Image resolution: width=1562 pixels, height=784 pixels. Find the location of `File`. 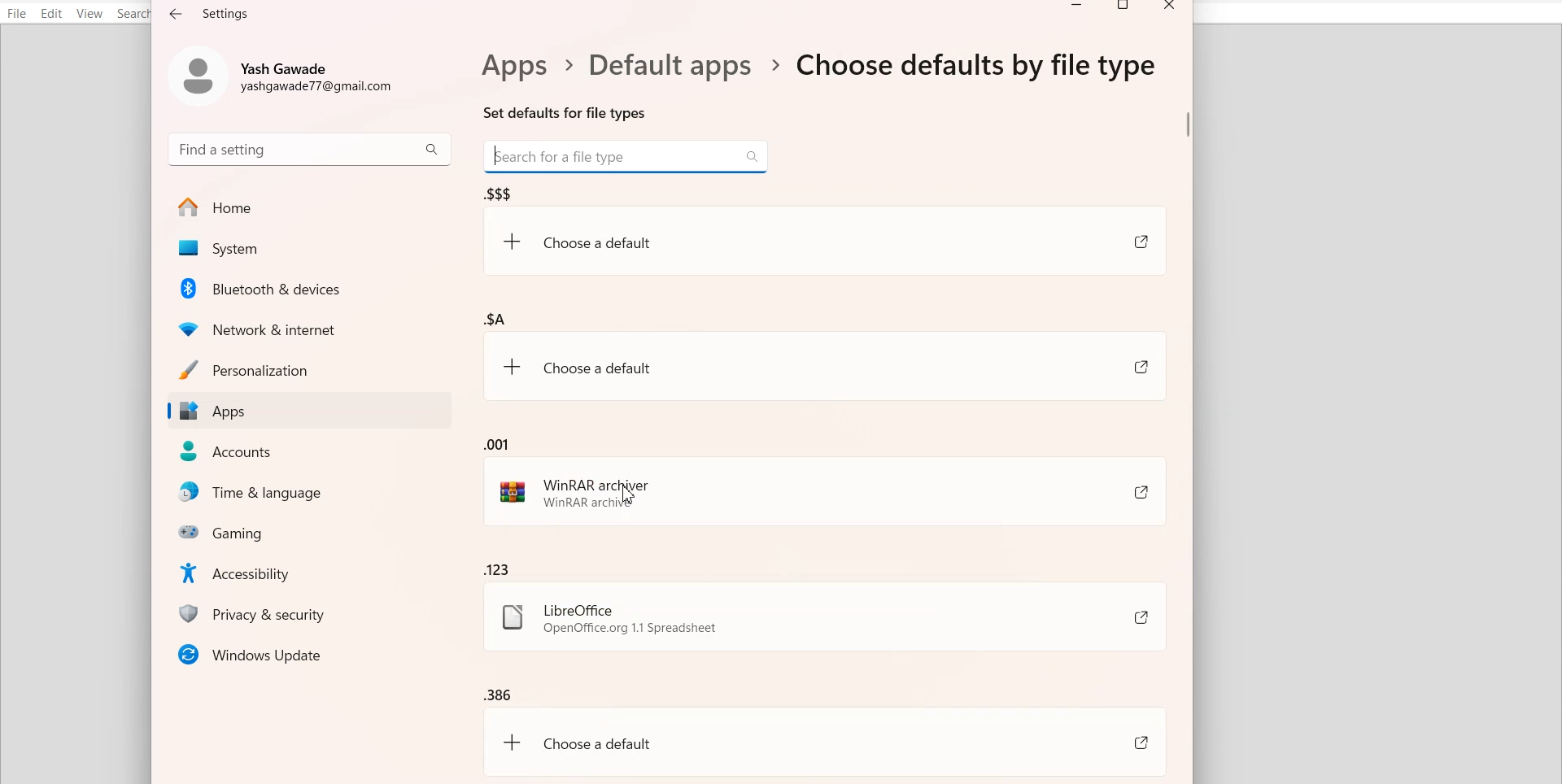

File is located at coordinates (17, 13).